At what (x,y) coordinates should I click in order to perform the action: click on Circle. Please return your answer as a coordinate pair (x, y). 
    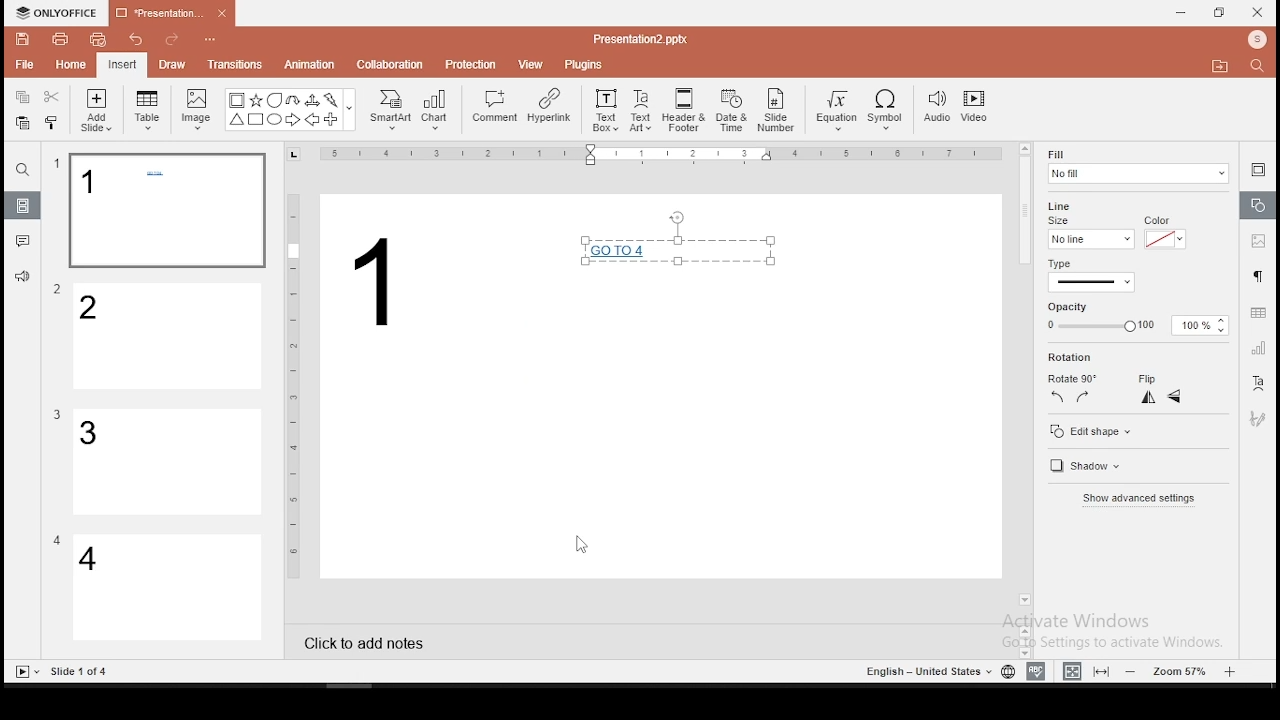
    Looking at the image, I should click on (276, 119).